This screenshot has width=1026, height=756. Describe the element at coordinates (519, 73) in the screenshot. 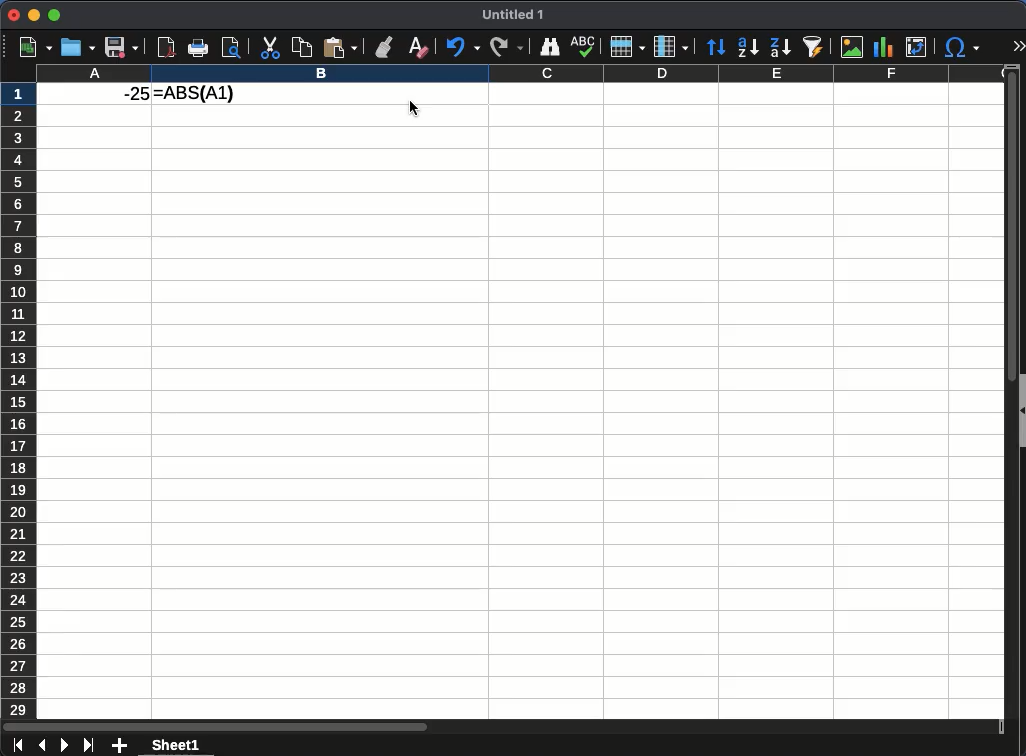

I see `column` at that location.